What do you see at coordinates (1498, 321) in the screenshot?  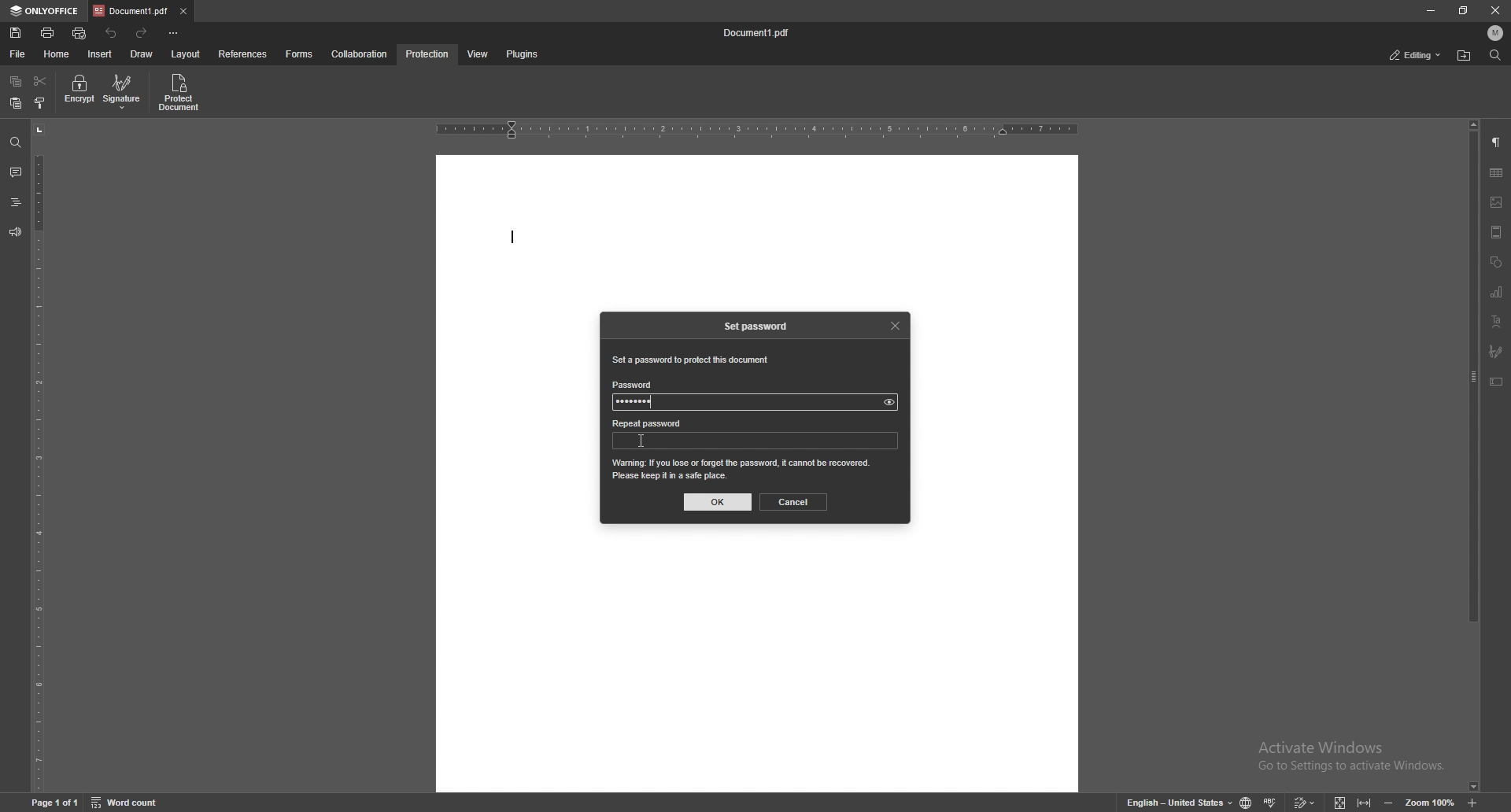 I see `text art` at bounding box center [1498, 321].